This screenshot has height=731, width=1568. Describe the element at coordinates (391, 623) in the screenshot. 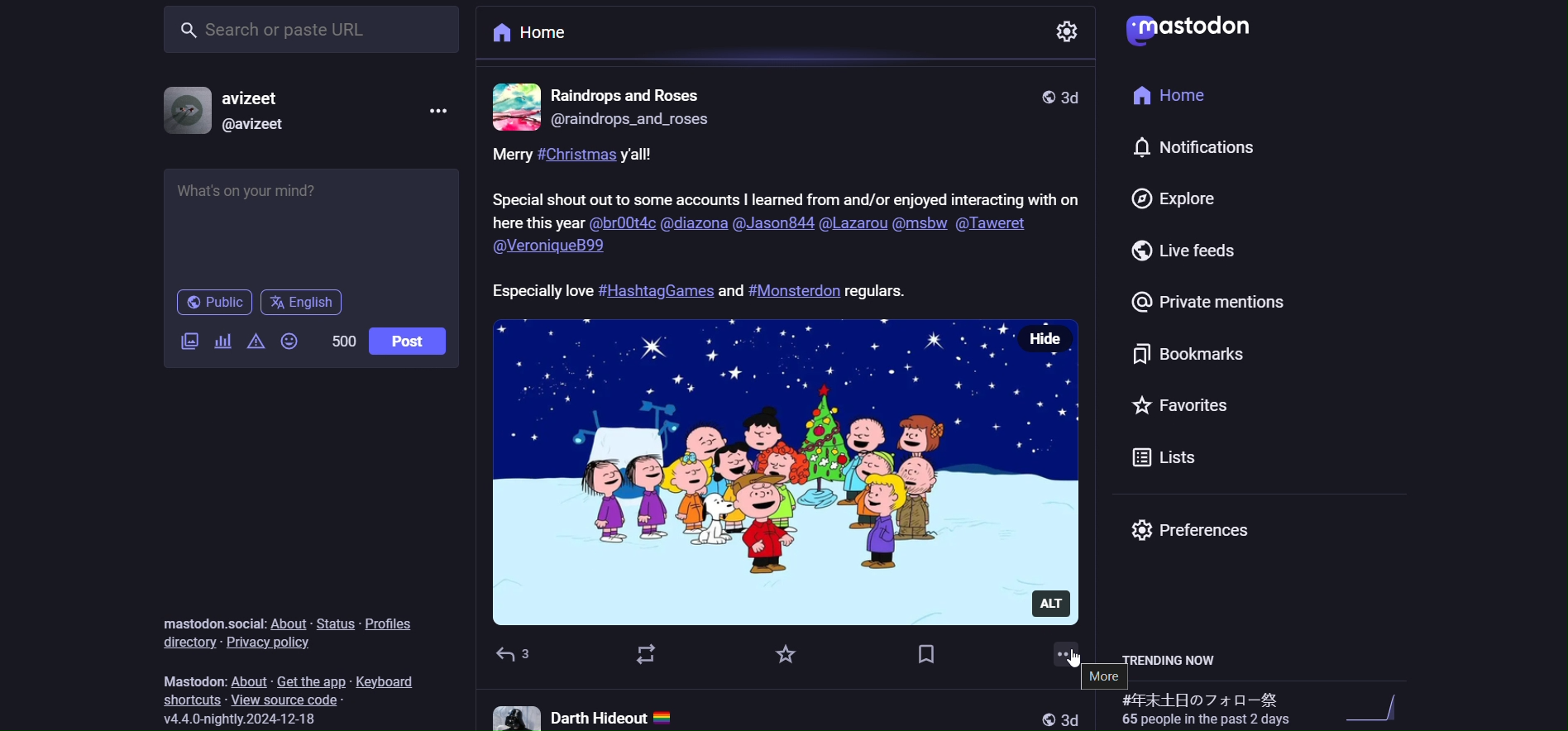

I see `profiles` at that location.